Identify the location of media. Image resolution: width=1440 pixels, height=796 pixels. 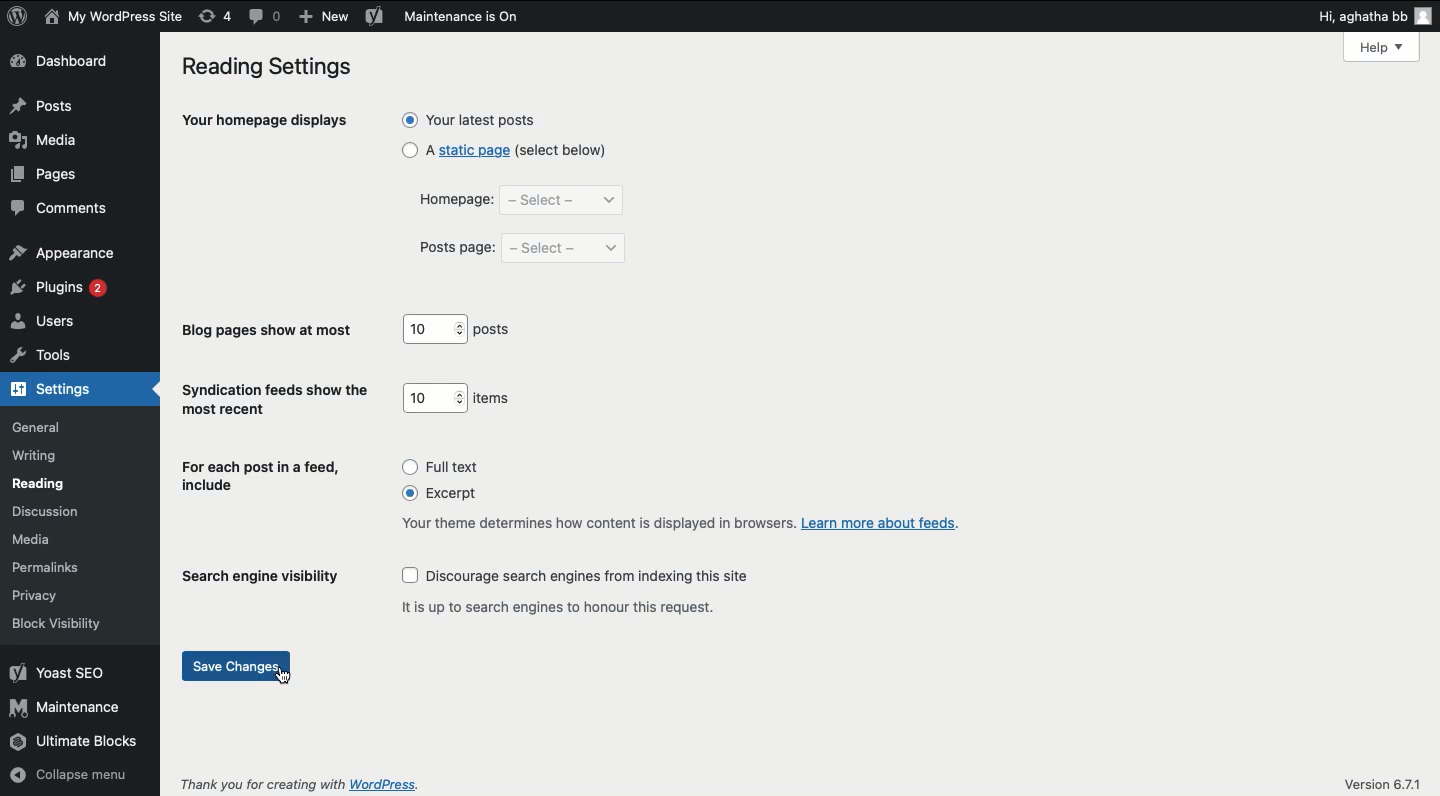
(48, 140).